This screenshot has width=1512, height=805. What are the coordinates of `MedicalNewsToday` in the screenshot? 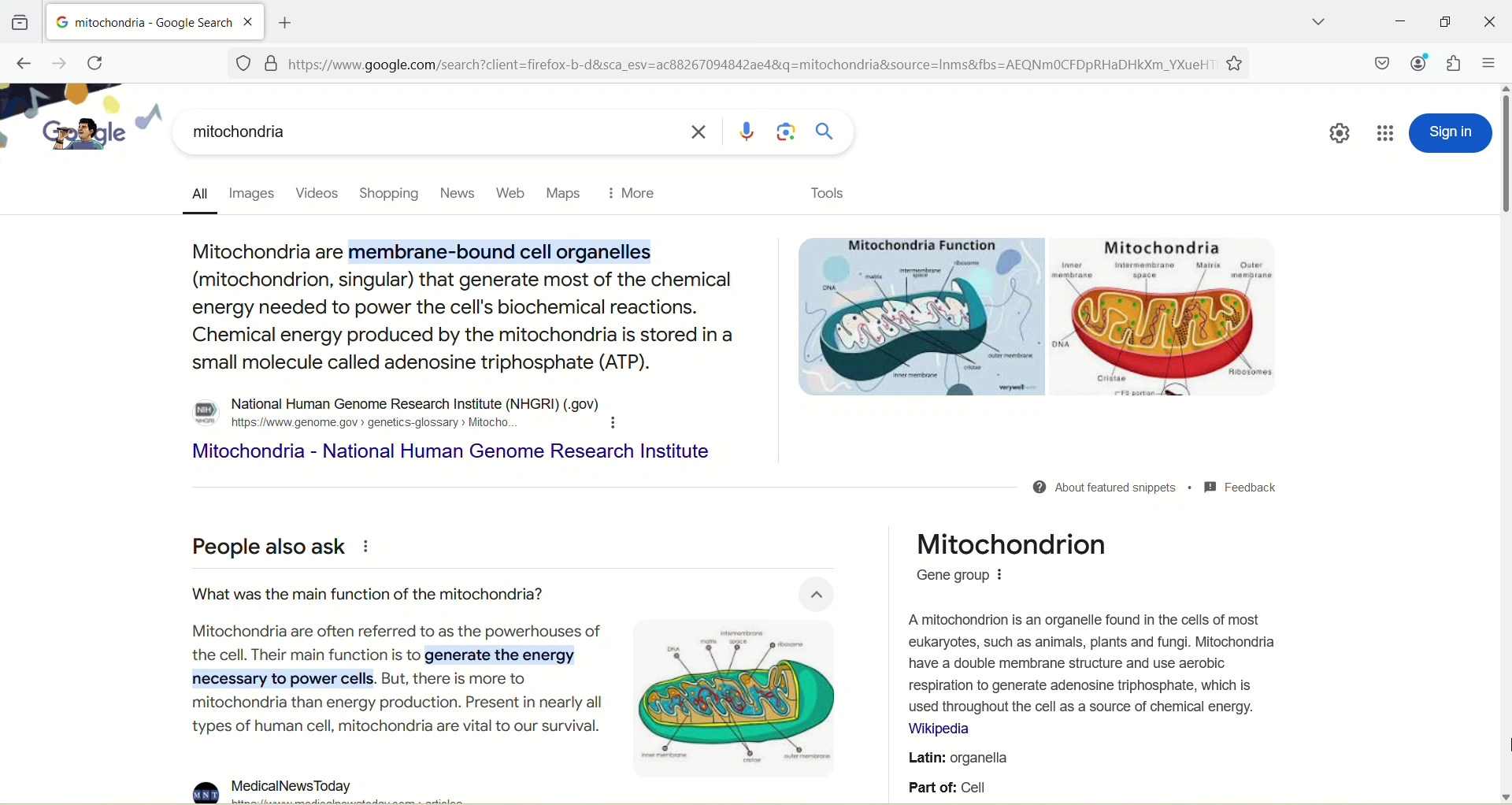 It's located at (291, 783).